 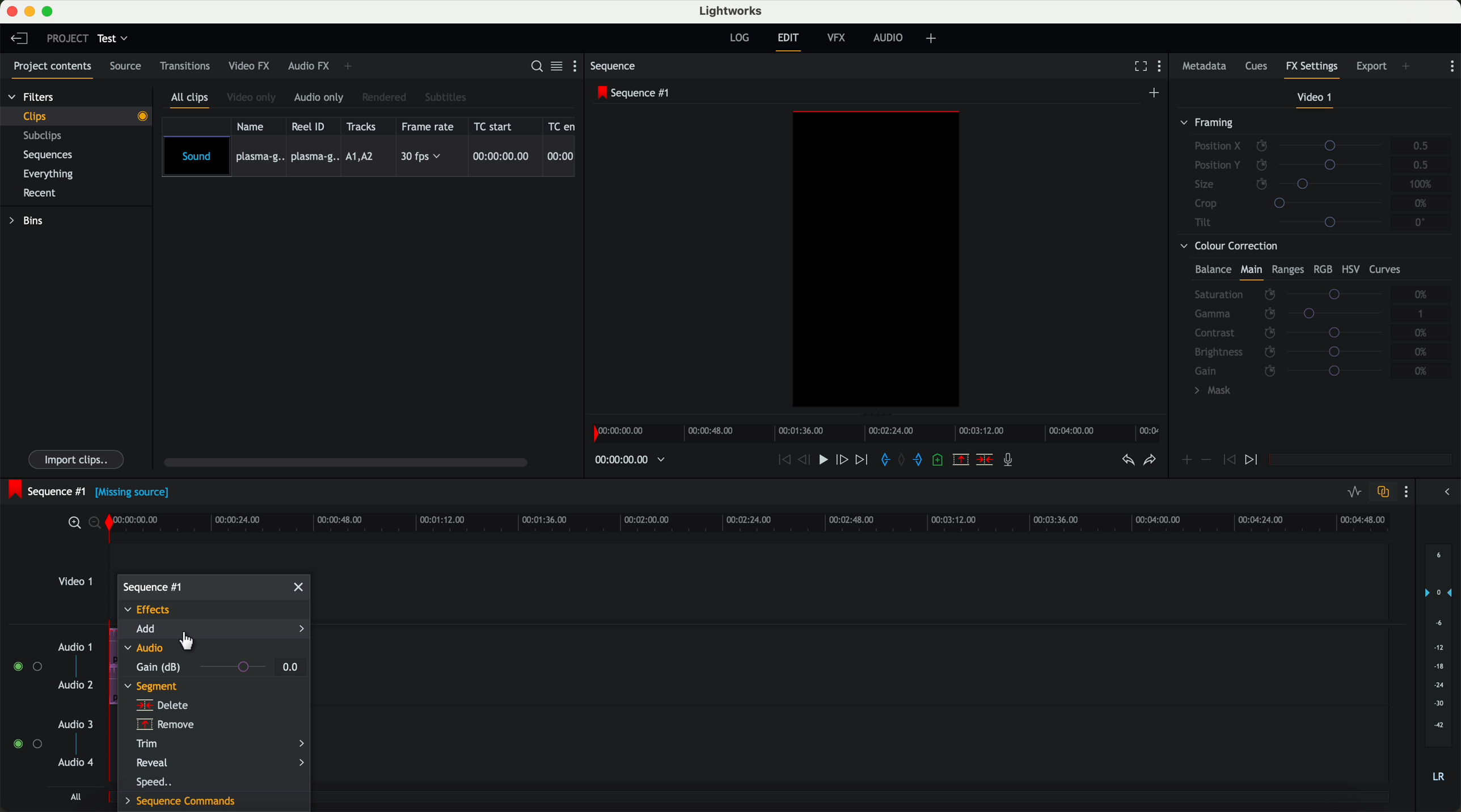 What do you see at coordinates (162, 706) in the screenshot?
I see `delete` at bounding box center [162, 706].